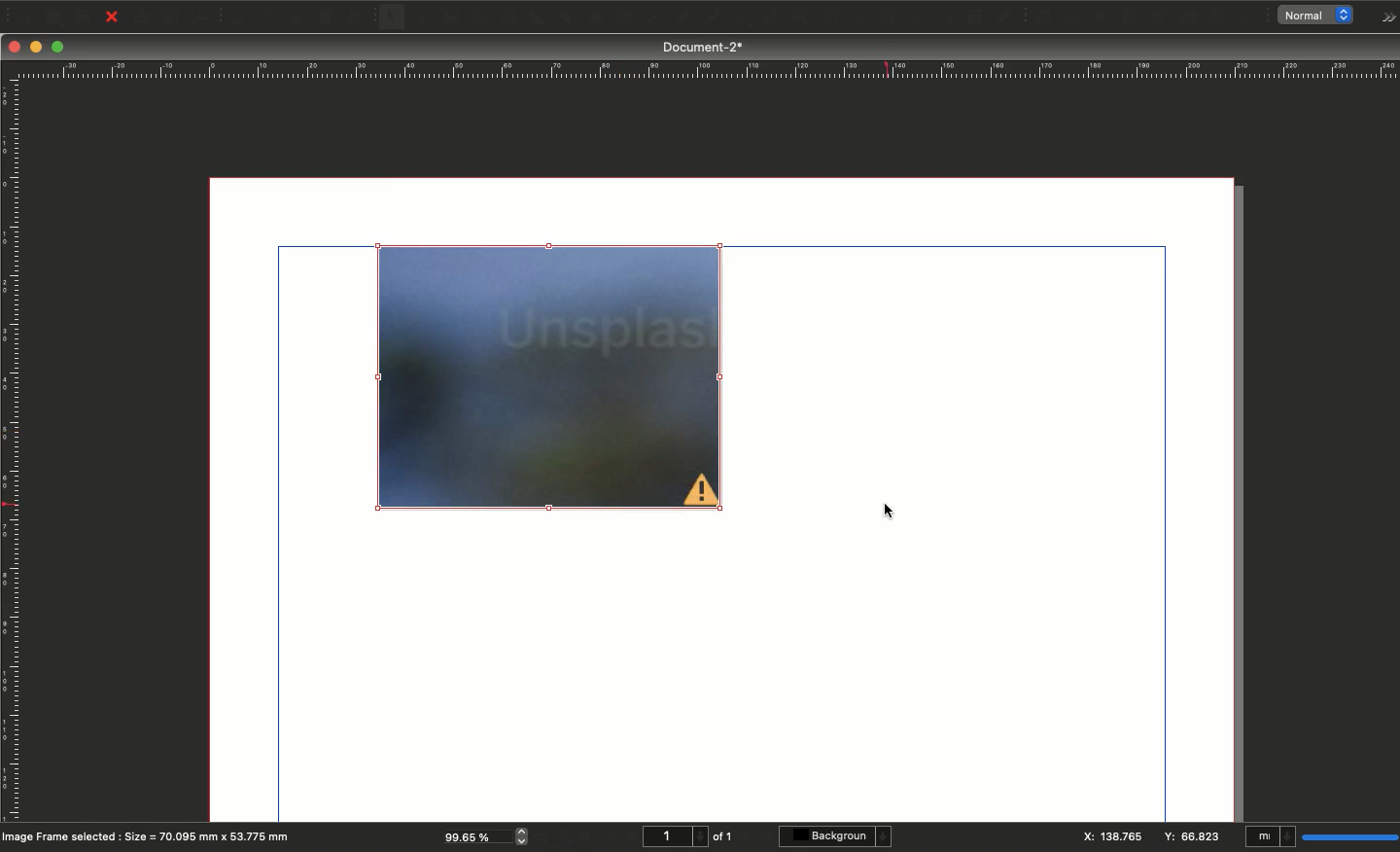  I want to click on X: 138.765, so click(1113, 836).